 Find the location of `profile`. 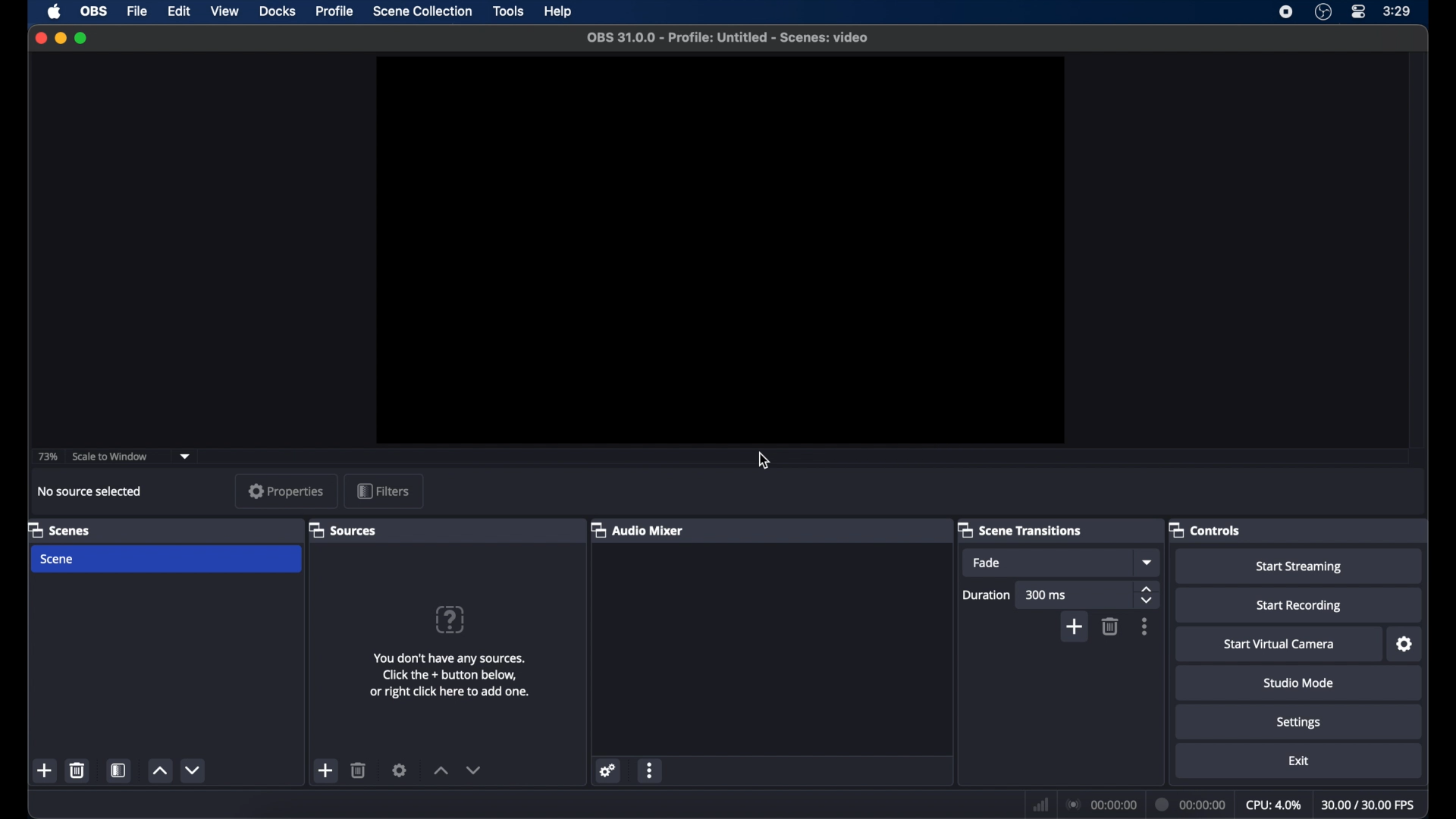

profile is located at coordinates (335, 11).